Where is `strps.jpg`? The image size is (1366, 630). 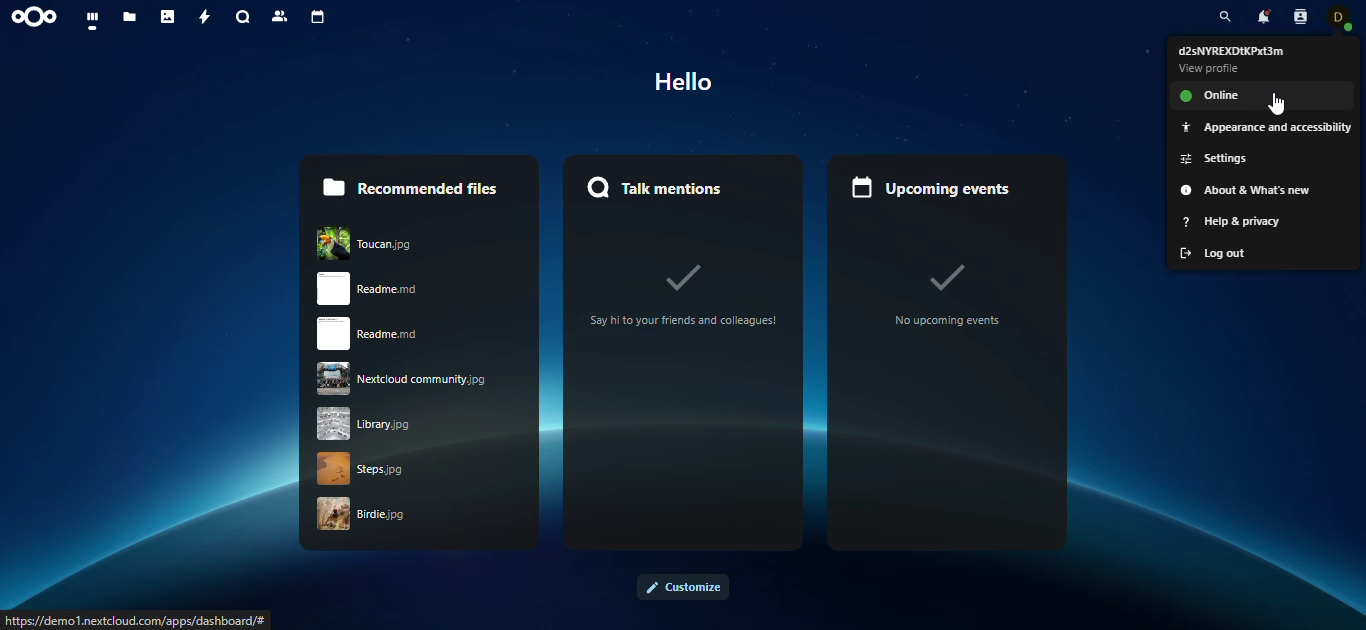 strps.jpg is located at coordinates (409, 468).